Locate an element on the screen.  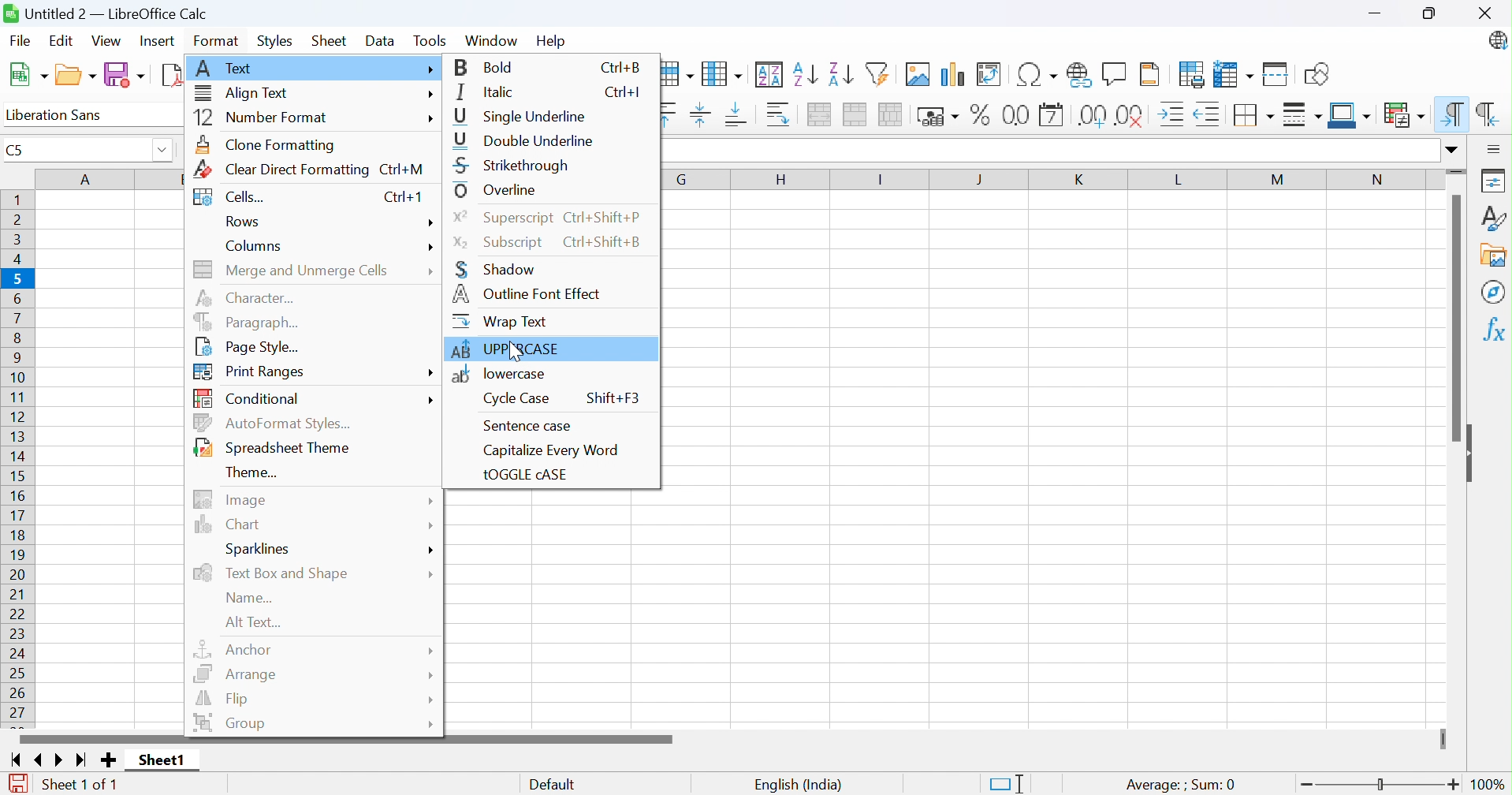
locare case is located at coordinates (501, 374).